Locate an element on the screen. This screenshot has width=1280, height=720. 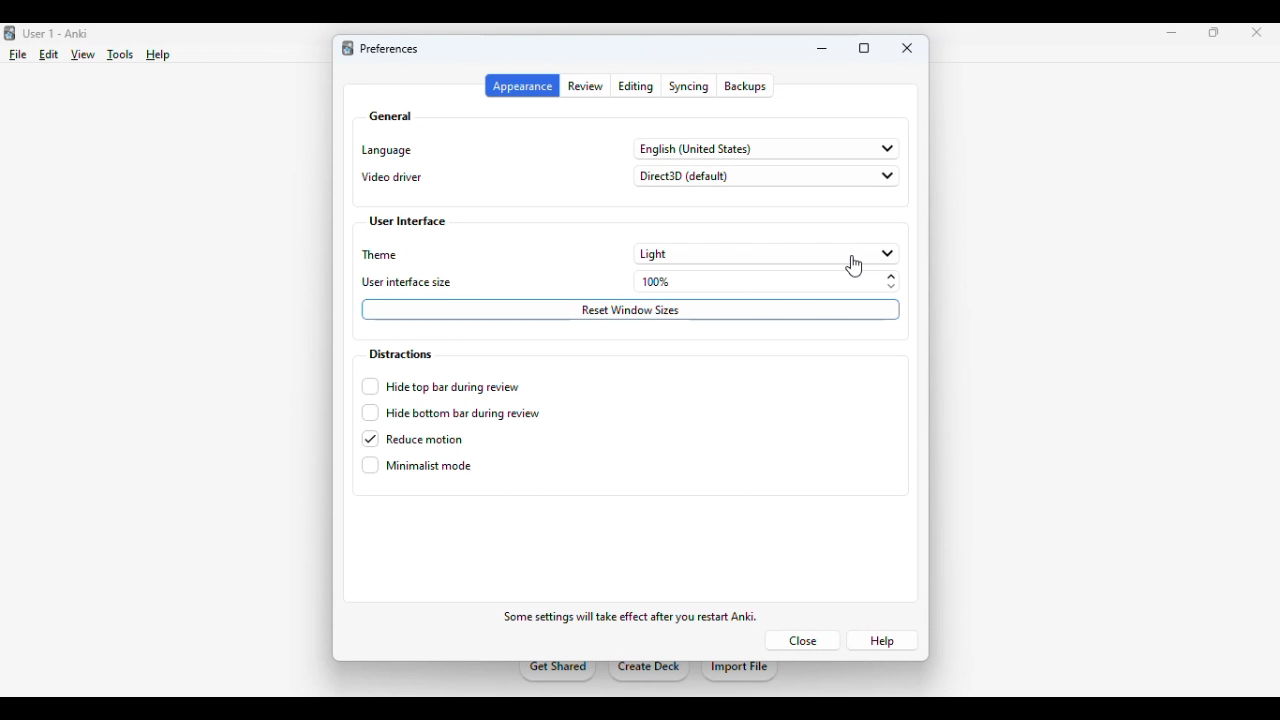
close is located at coordinates (1257, 32).